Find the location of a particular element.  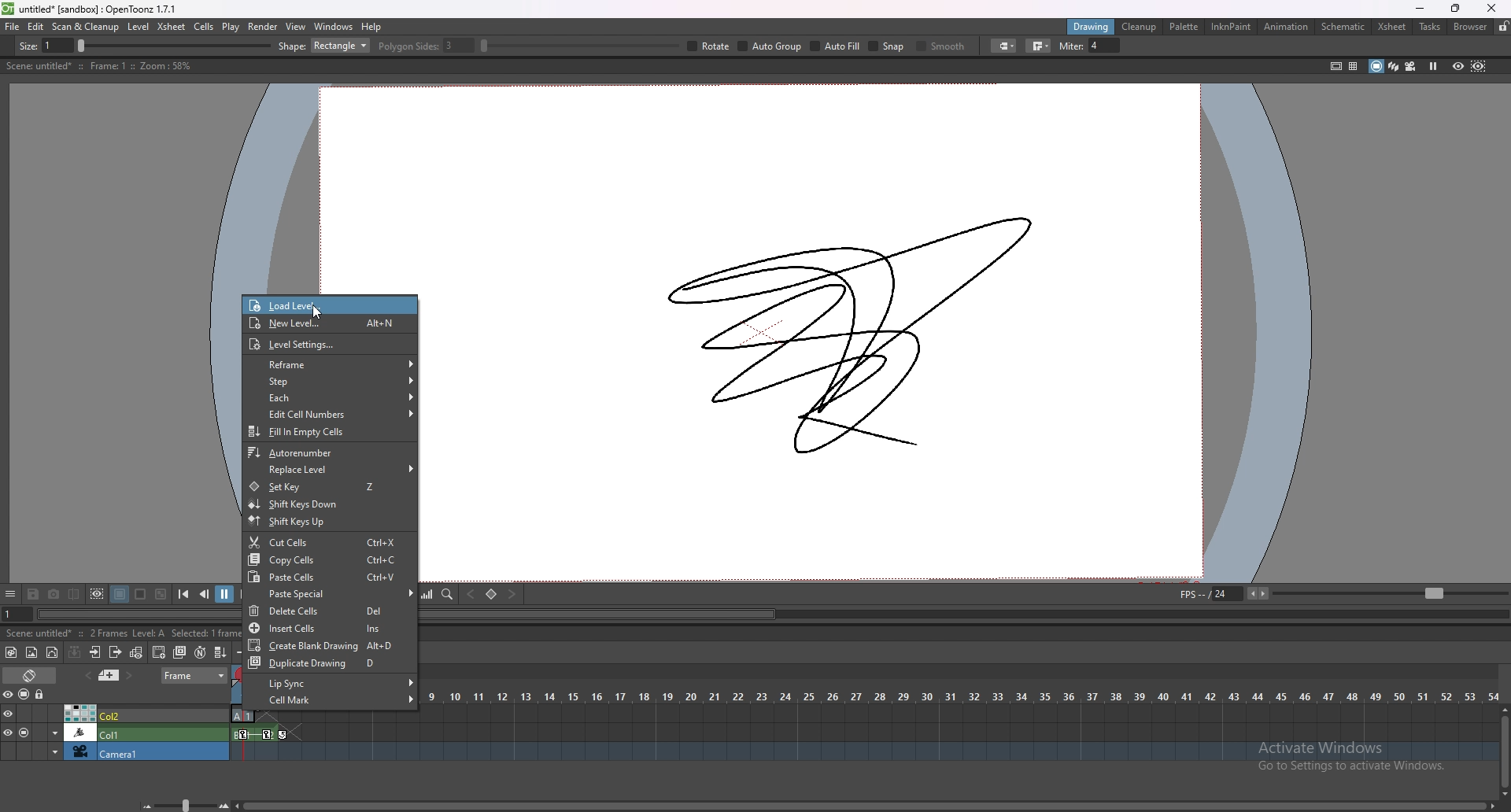

edit cell numbers is located at coordinates (330, 414).